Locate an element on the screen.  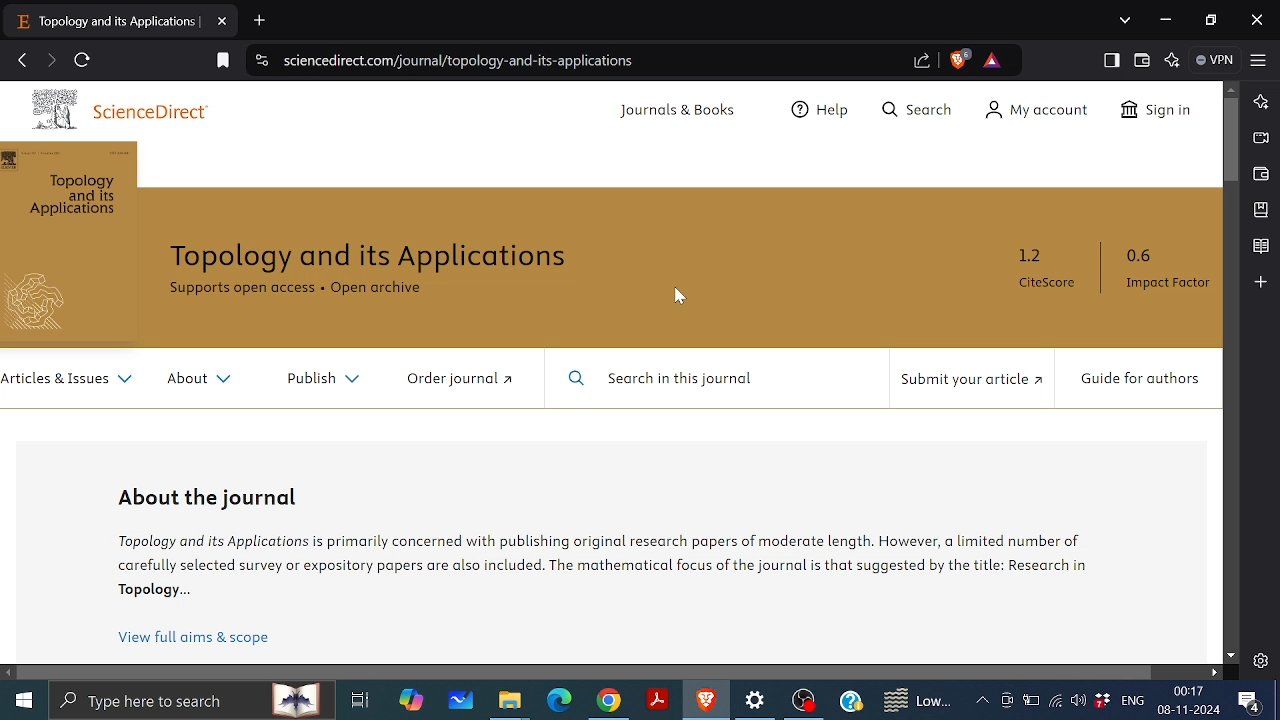
Show sidebar is located at coordinates (1112, 60).